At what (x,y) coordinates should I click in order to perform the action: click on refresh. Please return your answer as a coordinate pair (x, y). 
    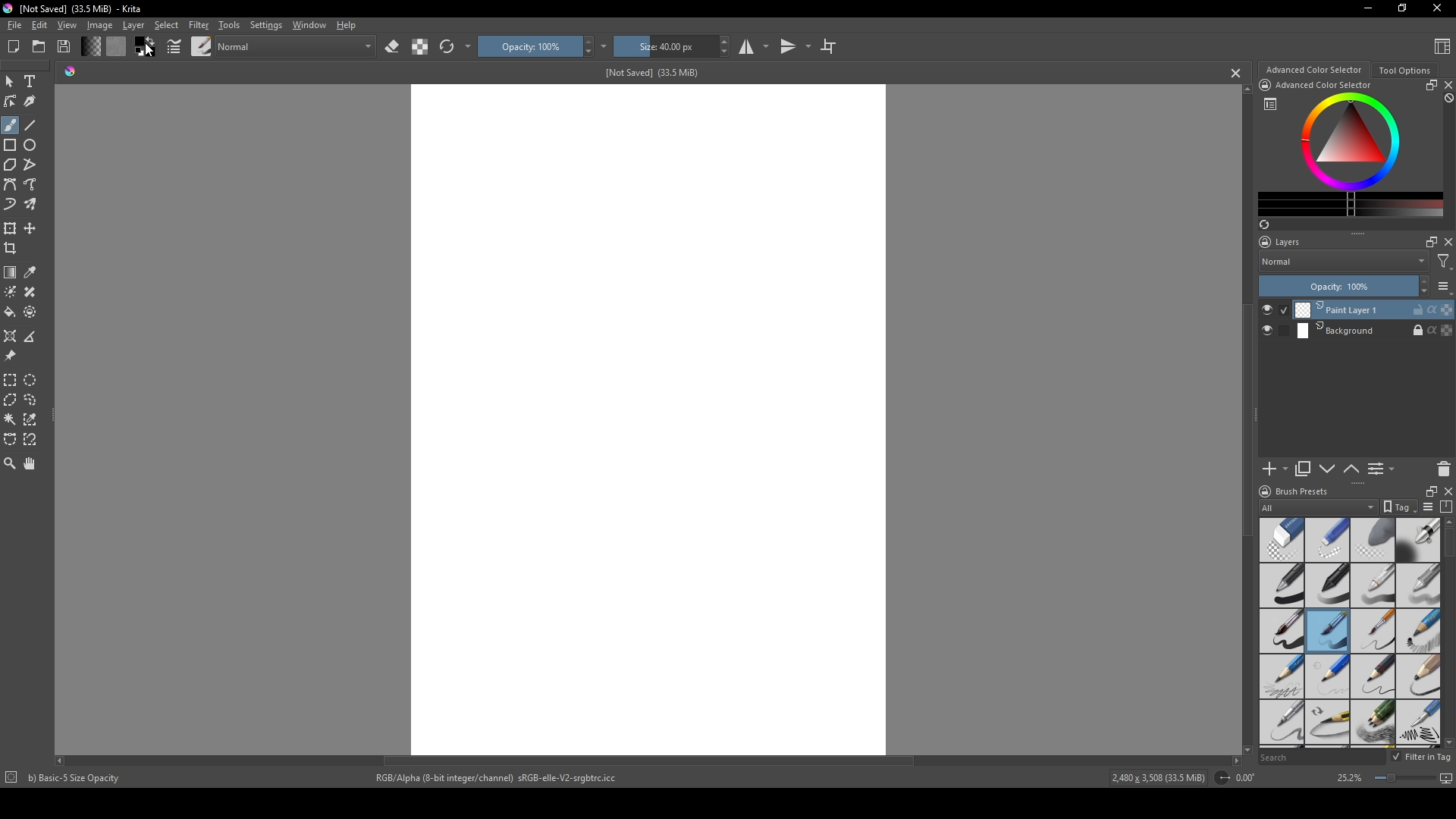
    Looking at the image, I should click on (1263, 224).